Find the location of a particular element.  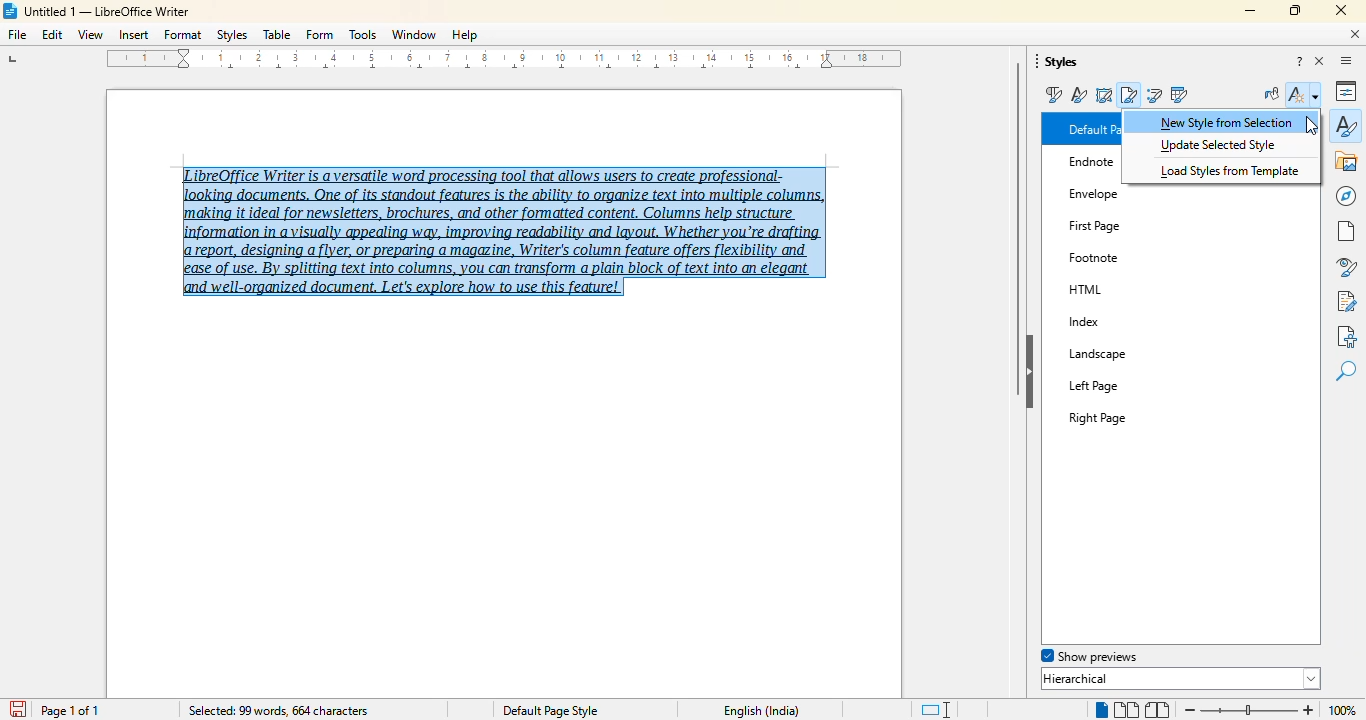

sidebar settings is located at coordinates (1346, 61).